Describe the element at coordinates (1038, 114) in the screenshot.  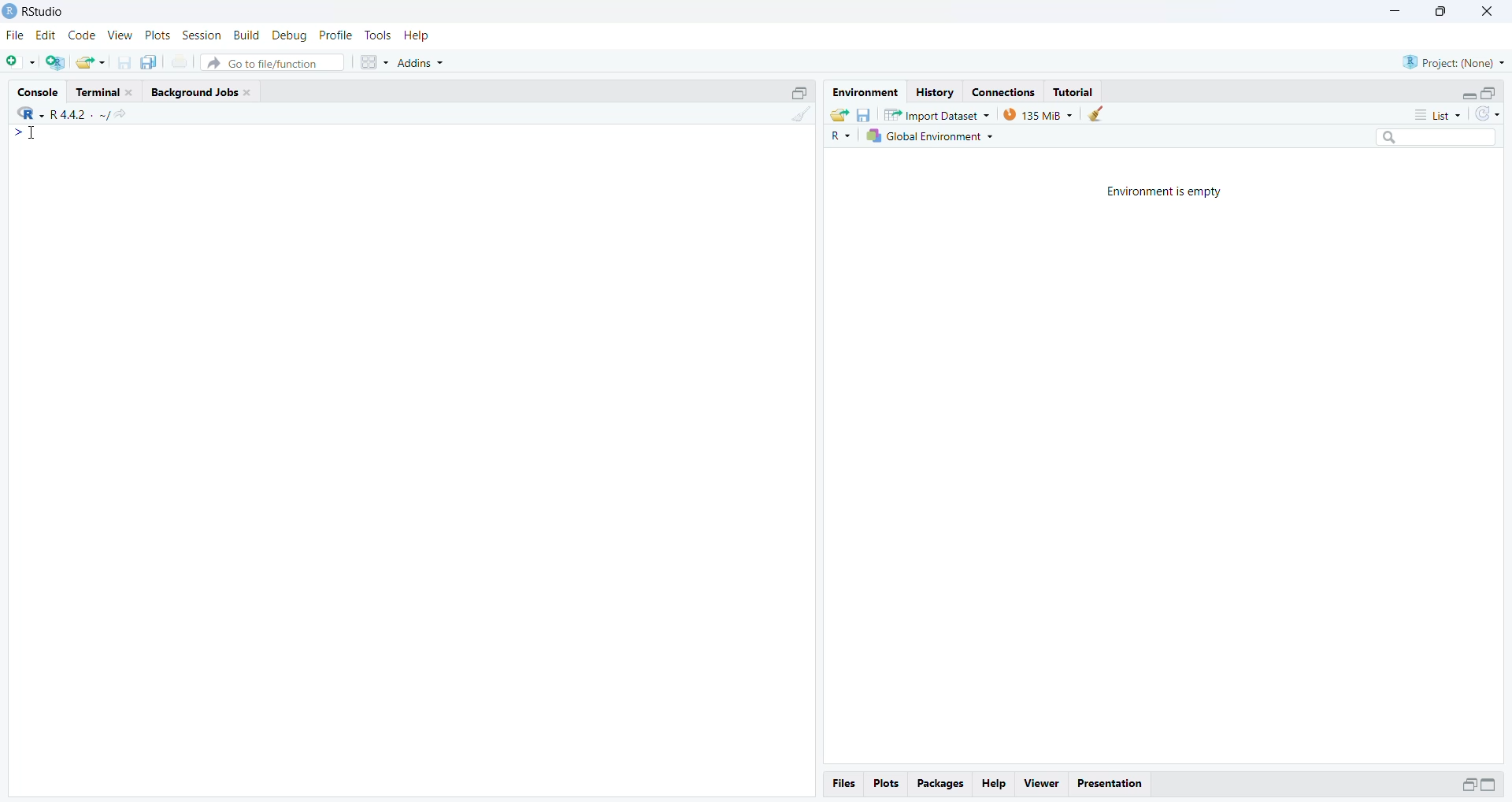
I see `135 MiB` at that location.